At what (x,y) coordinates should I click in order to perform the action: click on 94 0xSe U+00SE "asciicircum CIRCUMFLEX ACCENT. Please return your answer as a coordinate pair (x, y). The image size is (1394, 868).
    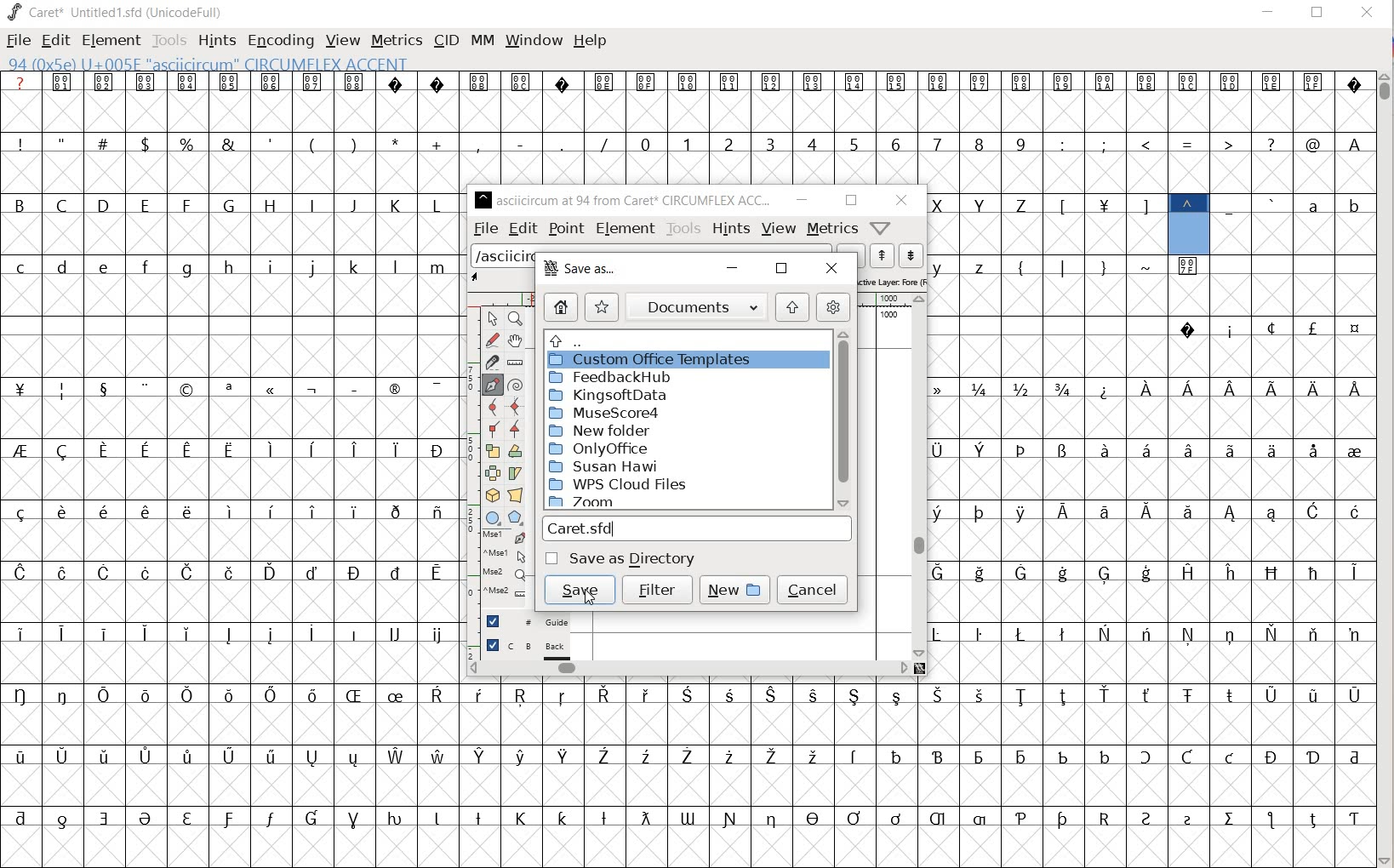
    Looking at the image, I should click on (269, 65).